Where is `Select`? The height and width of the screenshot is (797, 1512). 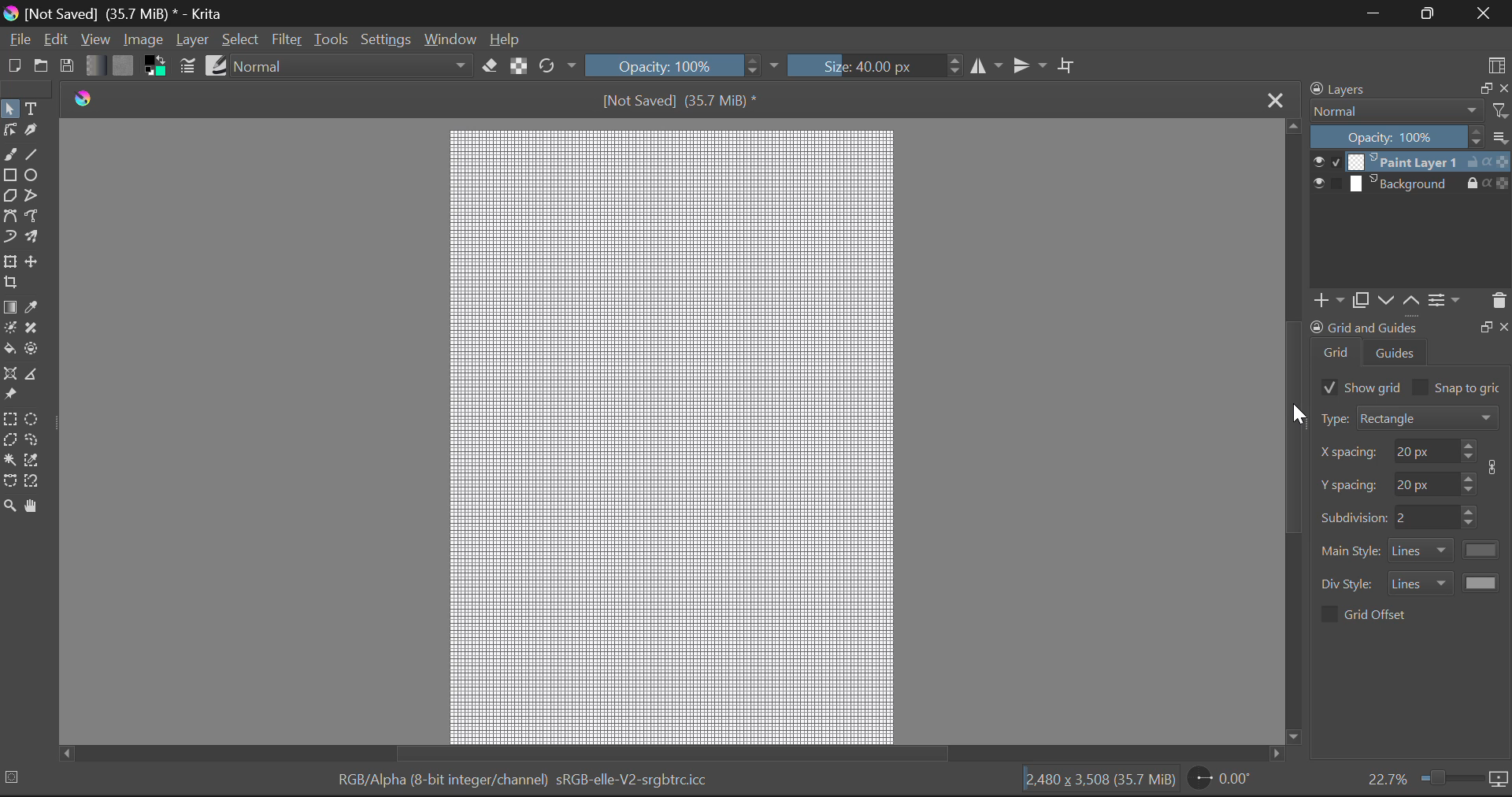 Select is located at coordinates (241, 40).